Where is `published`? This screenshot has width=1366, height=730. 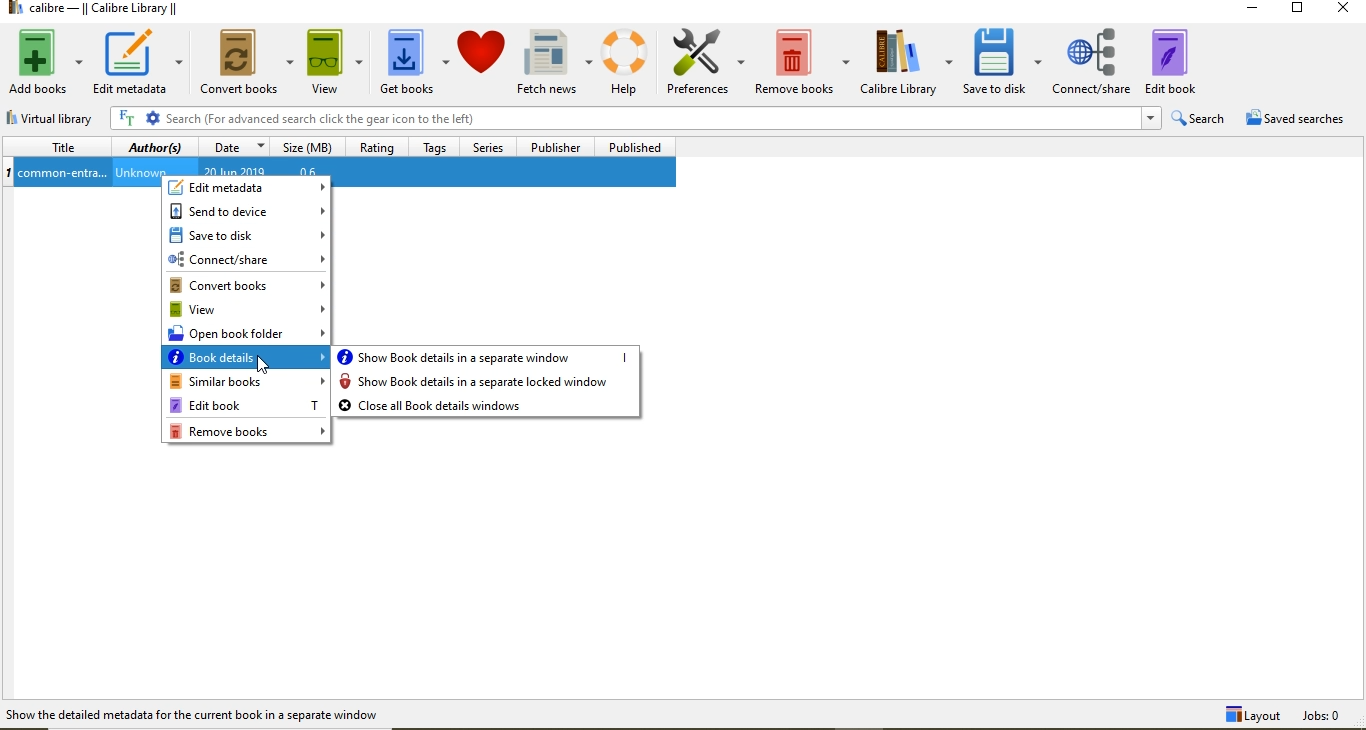
published is located at coordinates (634, 148).